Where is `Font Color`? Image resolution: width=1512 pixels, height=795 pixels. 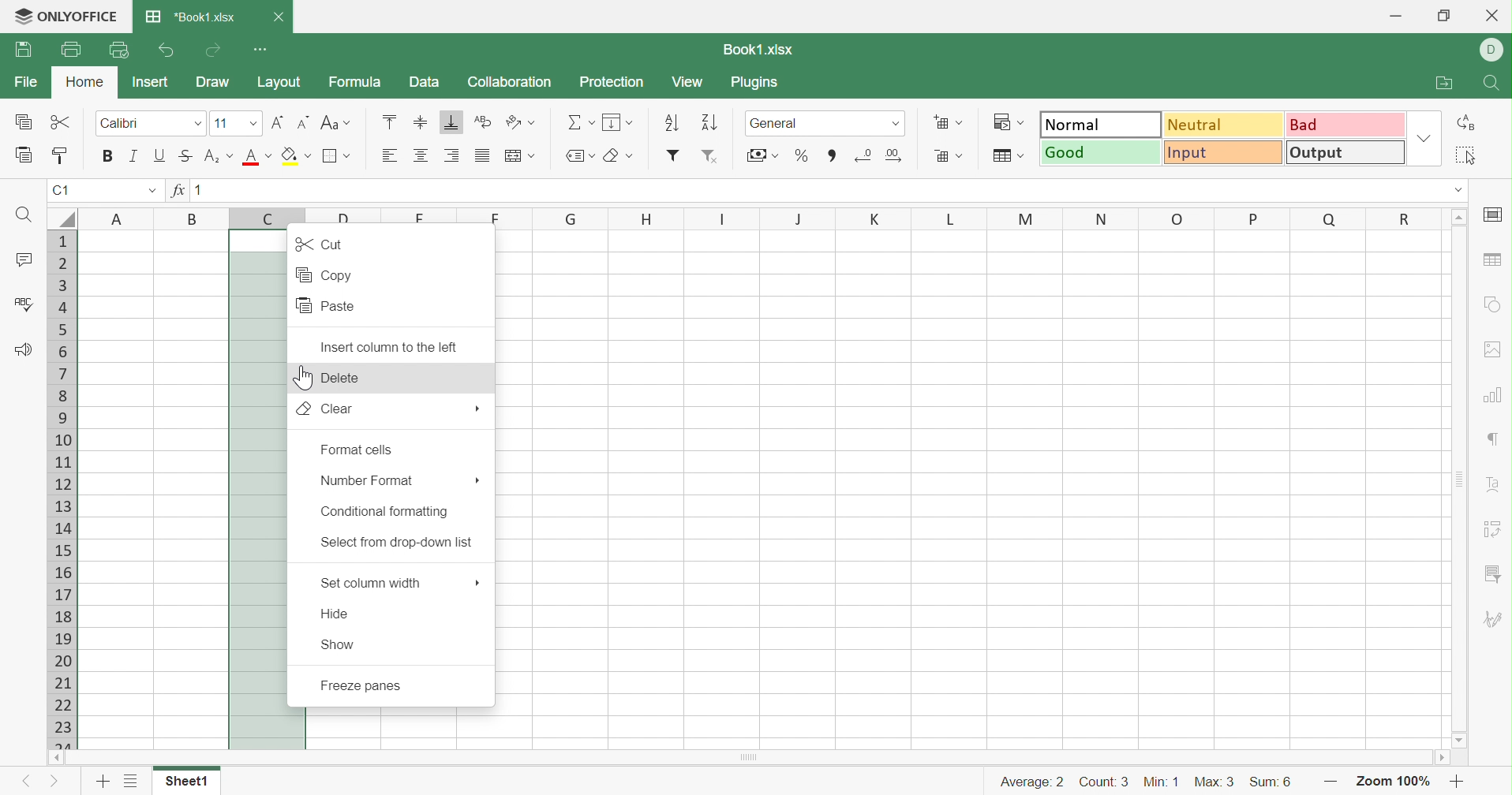 Font Color is located at coordinates (254, 157).